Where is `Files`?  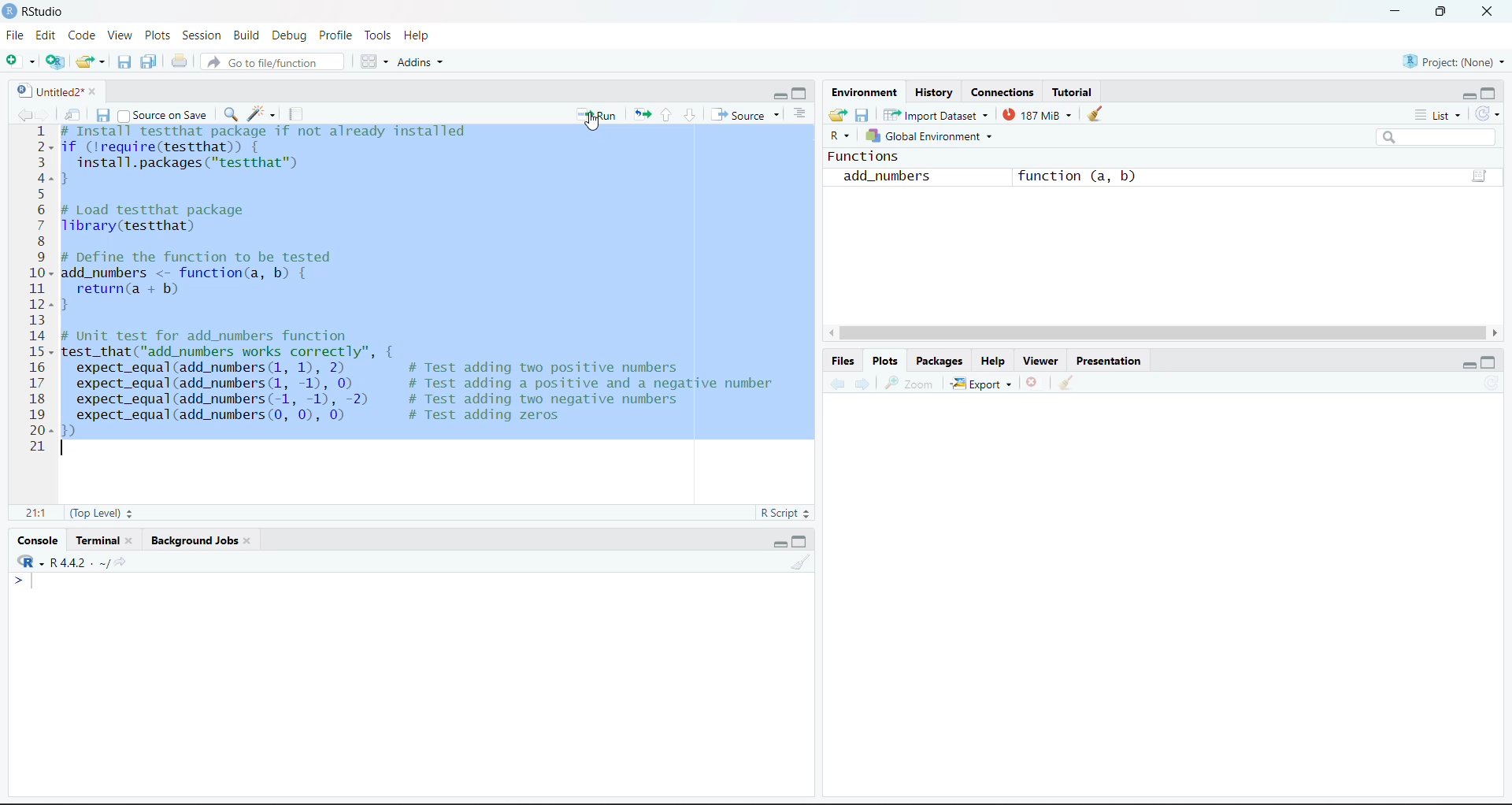 Files is located at coordinates (843, 361).